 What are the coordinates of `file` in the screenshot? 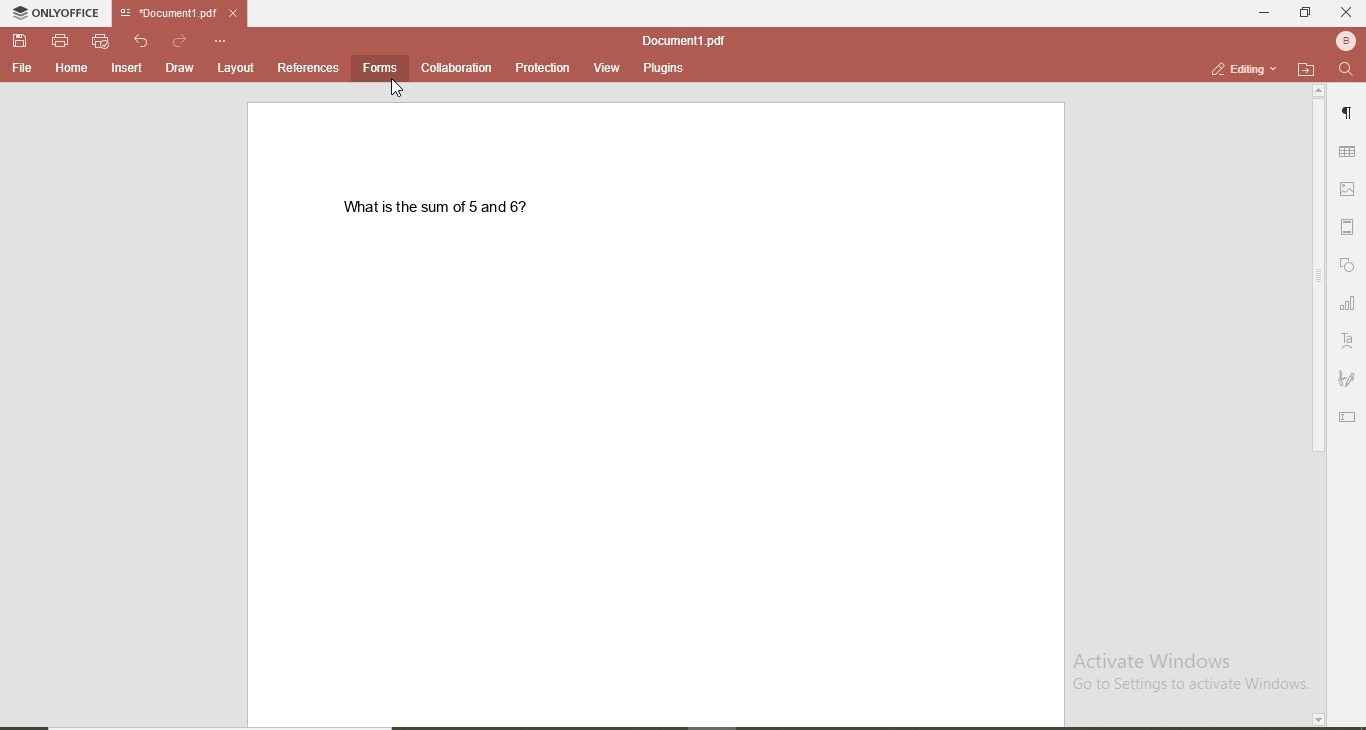 It's located at (21, 69).